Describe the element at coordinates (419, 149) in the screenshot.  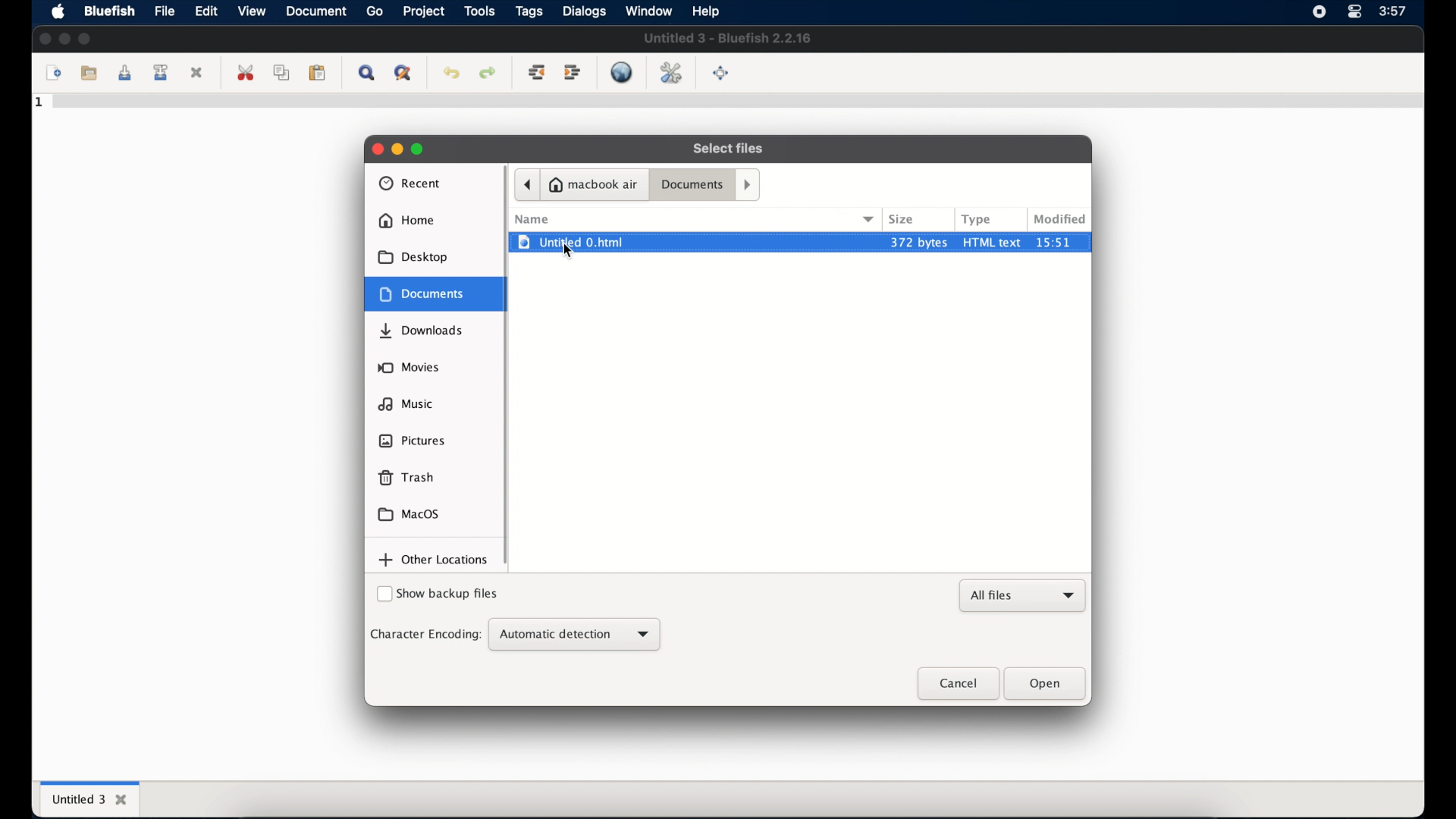
I see `maximize` at that location.